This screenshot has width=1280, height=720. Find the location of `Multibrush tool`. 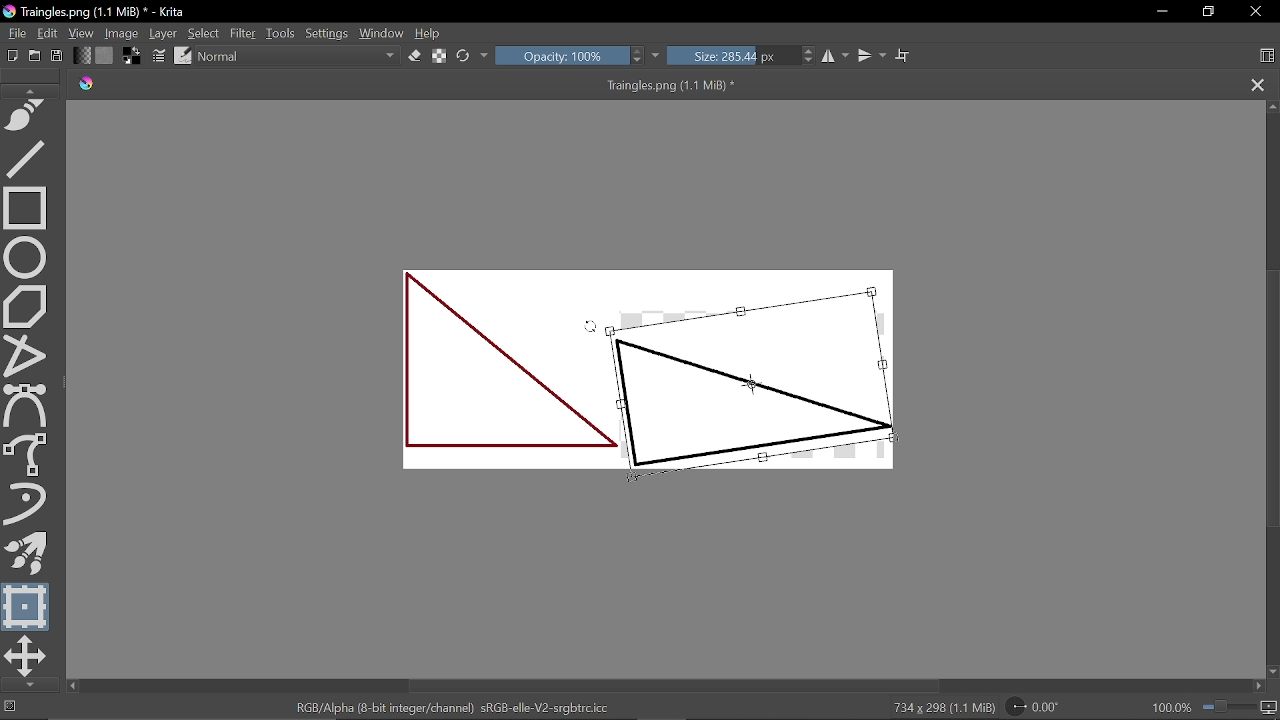

Multibrush tool is located at coordinates (27, 554).